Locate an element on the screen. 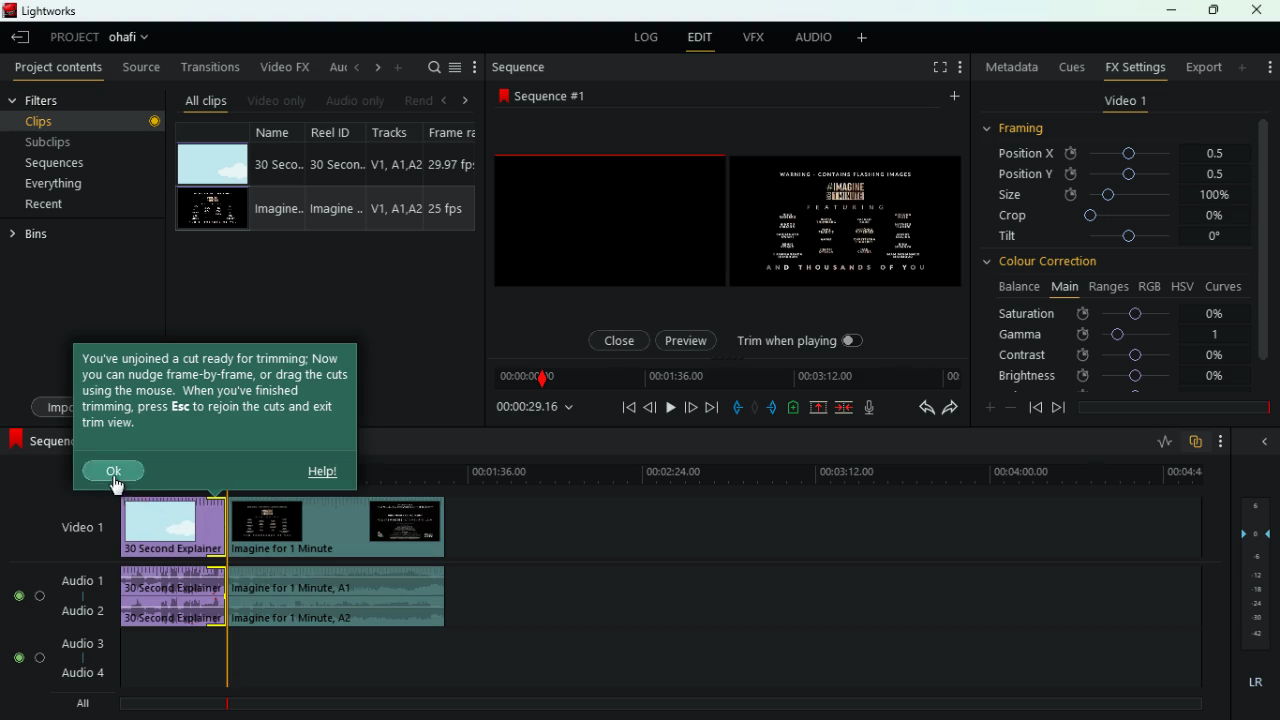 This screenshot has height=720, width=1280. forward is located at coordinates (711, 408).